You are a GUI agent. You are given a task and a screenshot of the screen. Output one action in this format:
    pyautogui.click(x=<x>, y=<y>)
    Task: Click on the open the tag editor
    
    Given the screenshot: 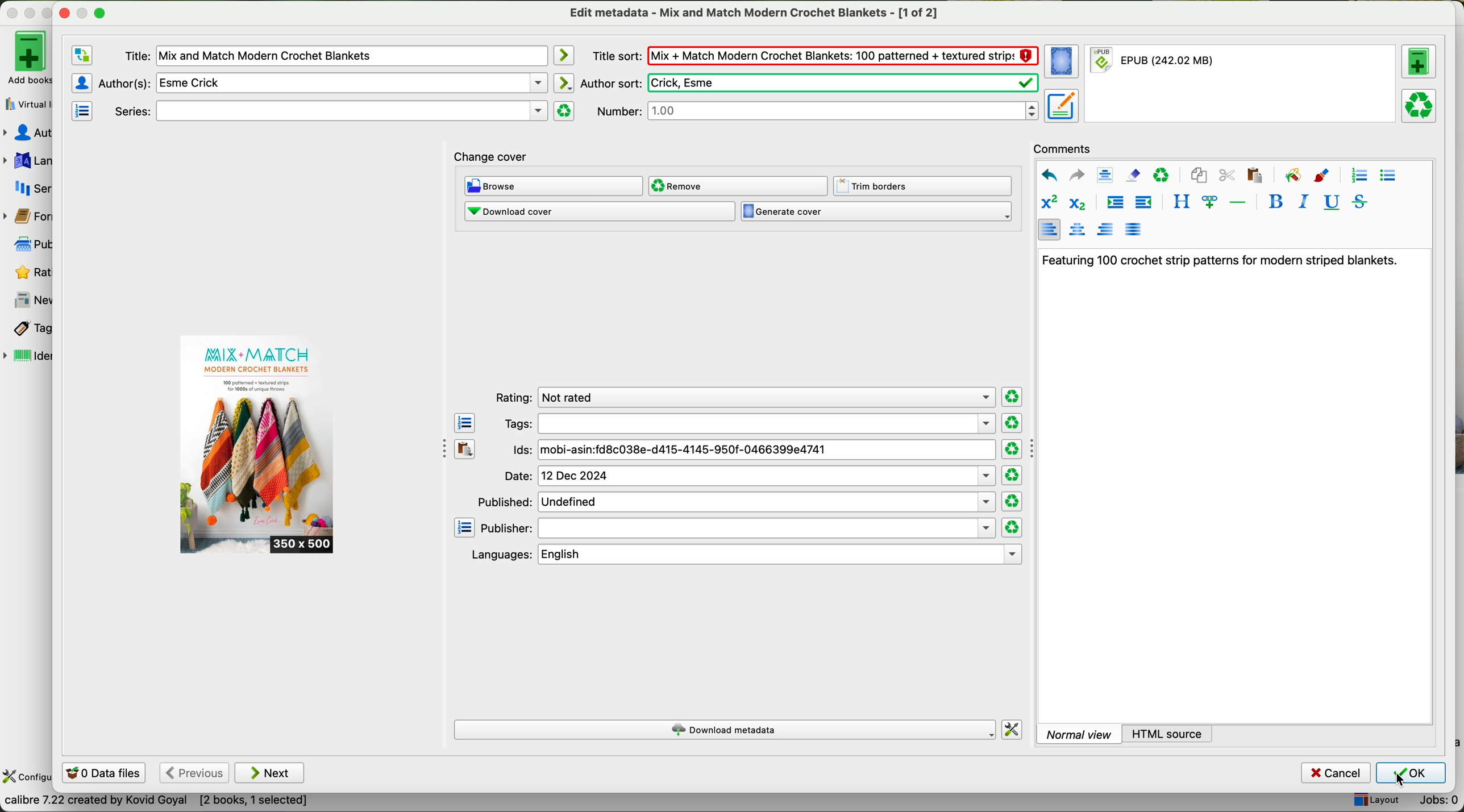 What is the action you would take?
    pyautogui.click(x=465, y=423)
    